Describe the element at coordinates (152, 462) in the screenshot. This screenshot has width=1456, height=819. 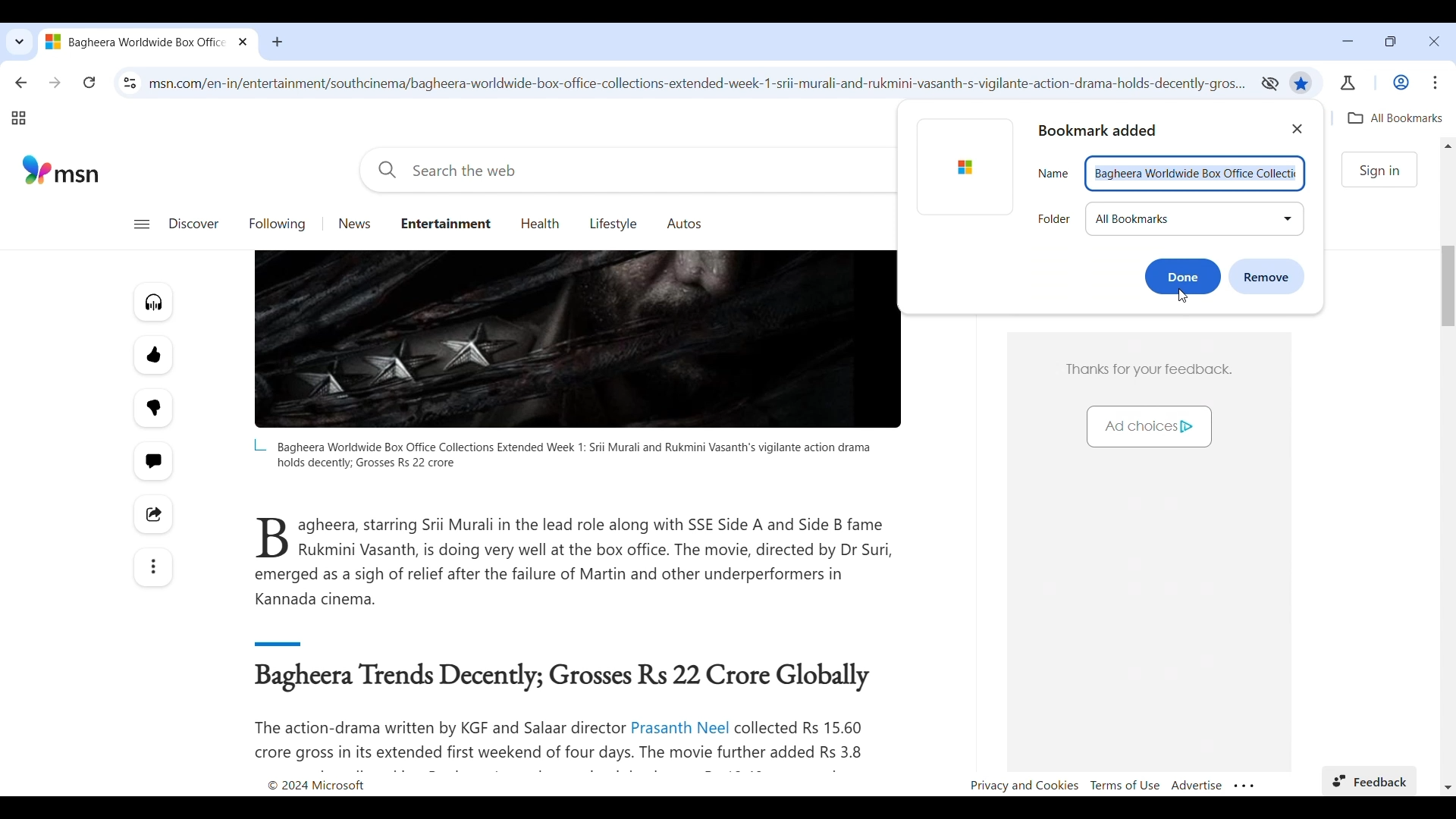
I see `Start the conversation` at that location.